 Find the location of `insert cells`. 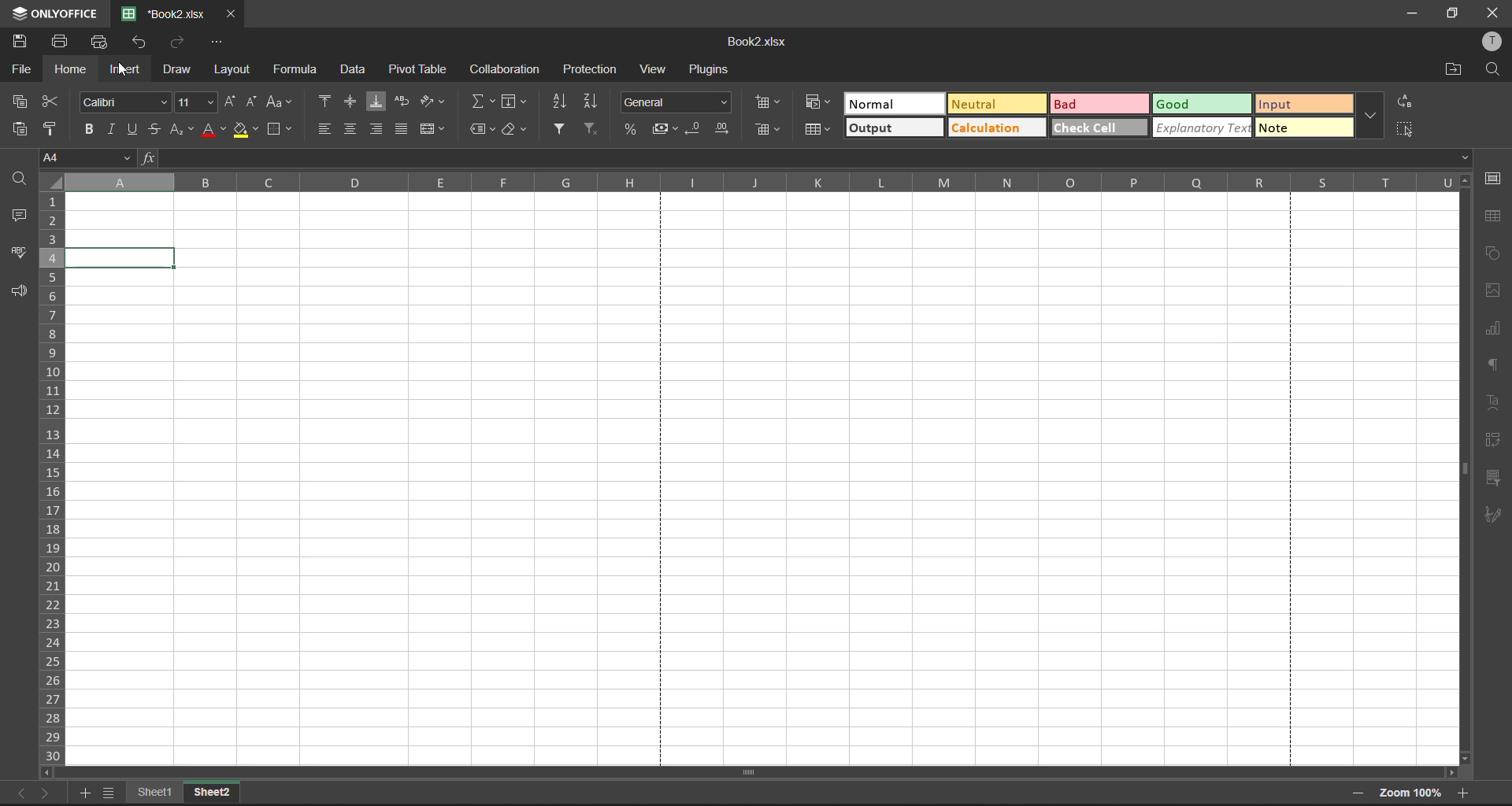

insert cells is located at coordinates (770, 104).